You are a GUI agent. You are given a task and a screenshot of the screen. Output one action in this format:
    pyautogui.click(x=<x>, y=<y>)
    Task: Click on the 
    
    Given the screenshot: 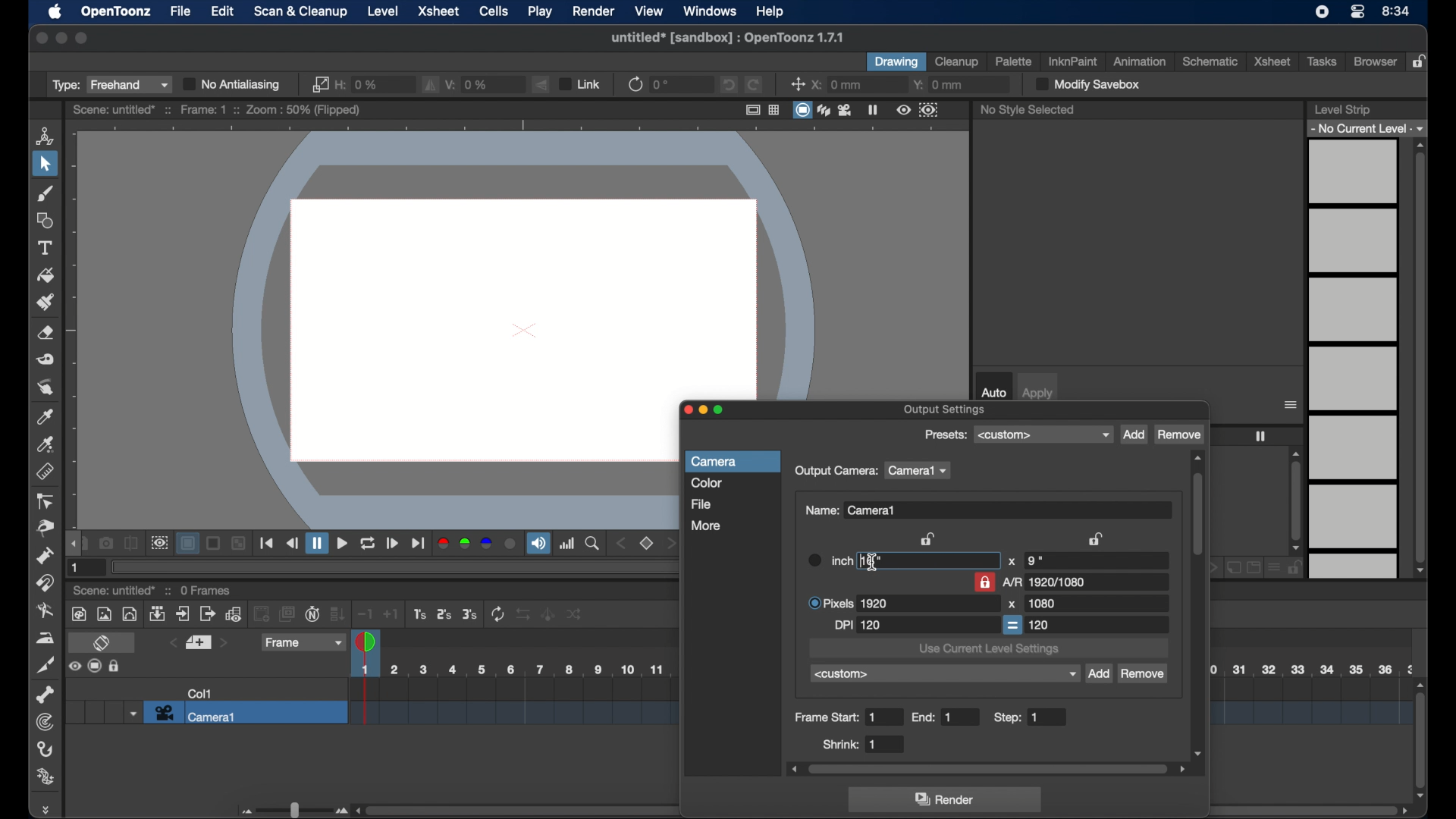 What is the action you would take?
    pyautogui.click(x=75, y=666)
    